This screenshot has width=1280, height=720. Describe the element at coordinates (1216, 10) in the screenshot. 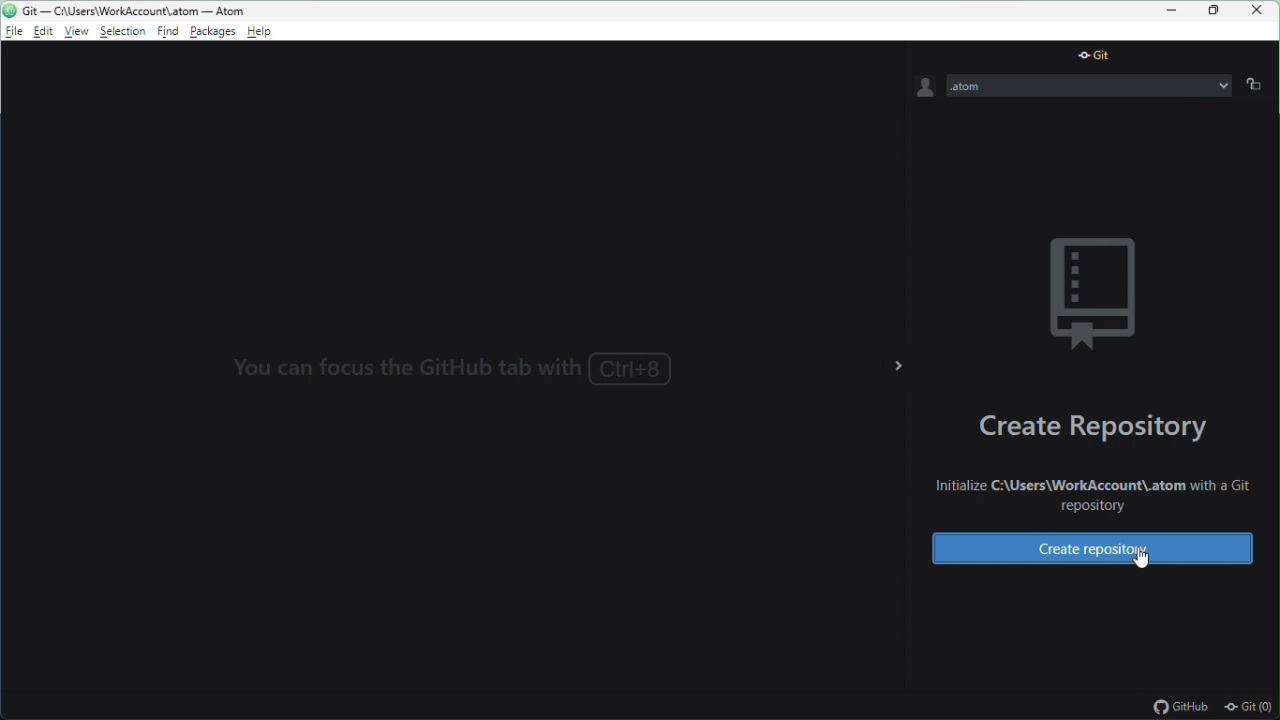

I see `restore` at that location.